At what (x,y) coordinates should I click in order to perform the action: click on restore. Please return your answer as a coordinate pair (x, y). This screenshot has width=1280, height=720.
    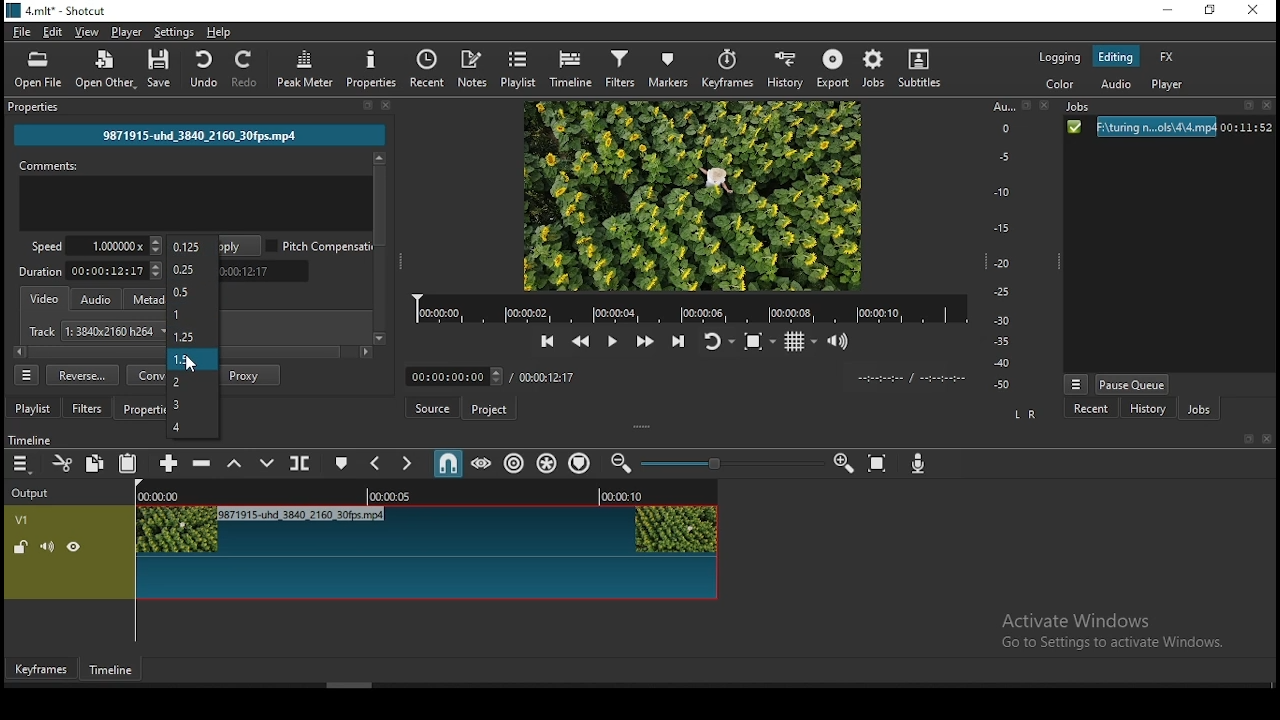
    Looking at the image, I should click on (1213, 12).